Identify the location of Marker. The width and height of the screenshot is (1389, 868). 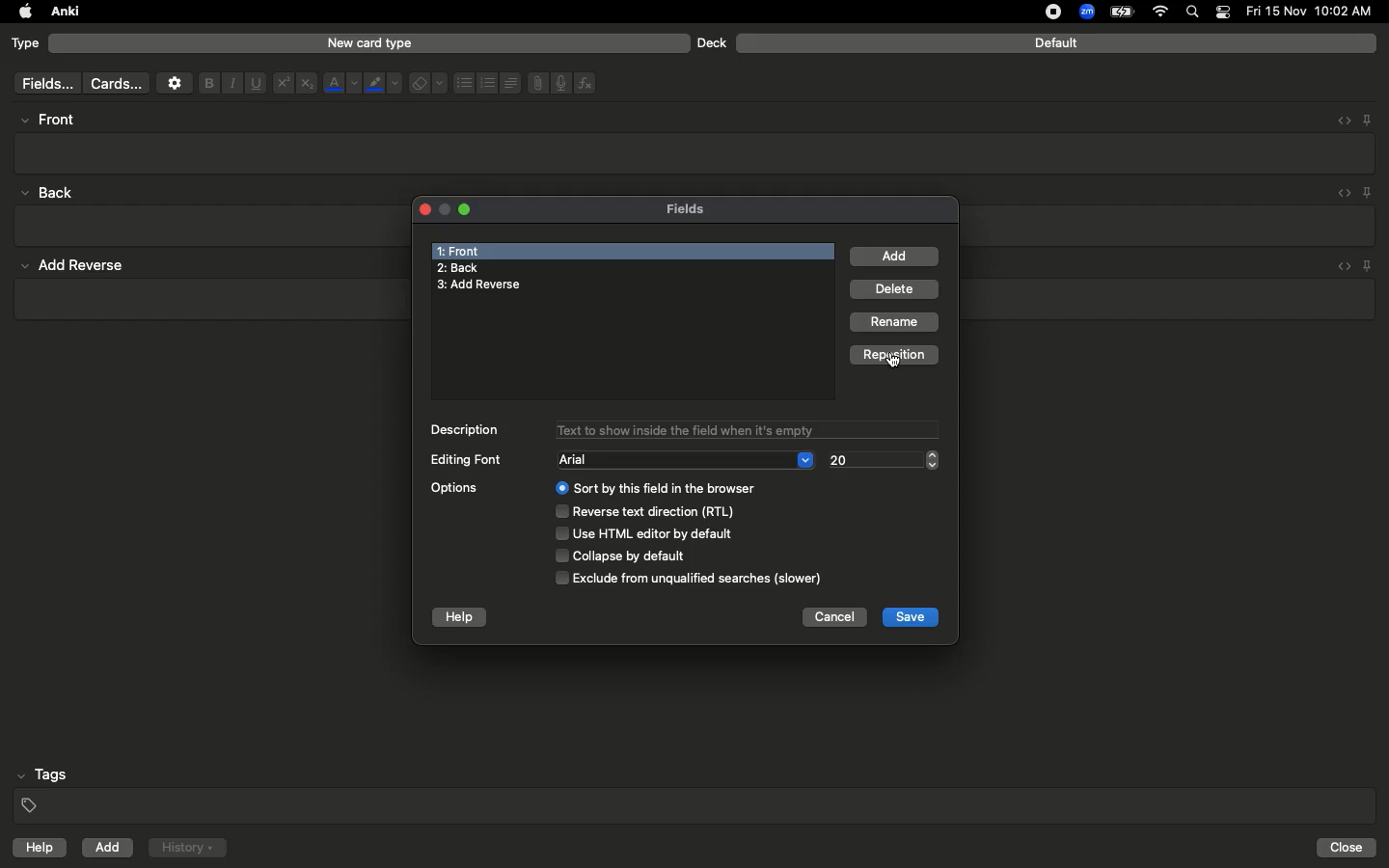
(383, 85).